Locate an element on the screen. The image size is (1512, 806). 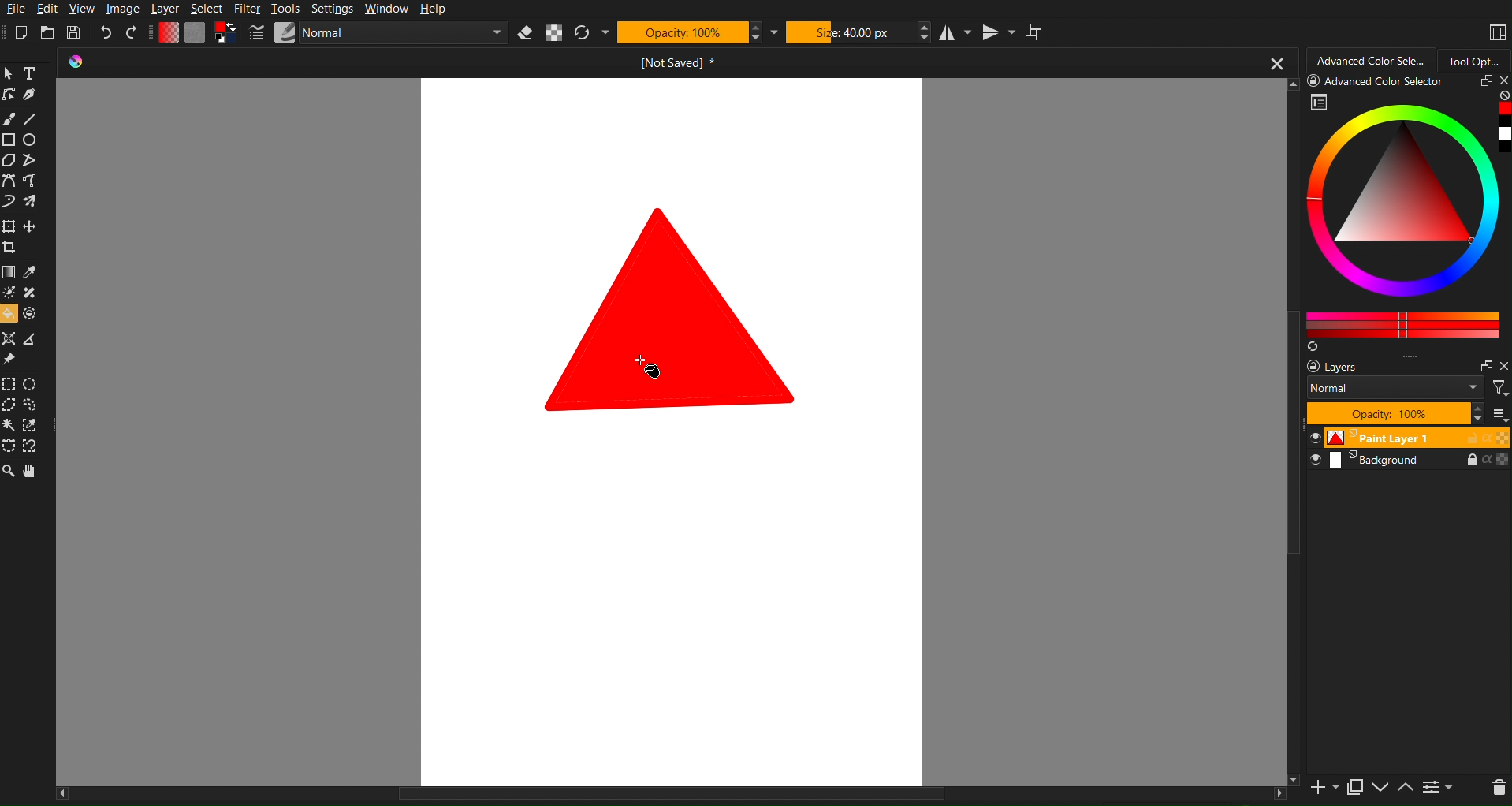
Pointer is located at coordinates (9, 72).